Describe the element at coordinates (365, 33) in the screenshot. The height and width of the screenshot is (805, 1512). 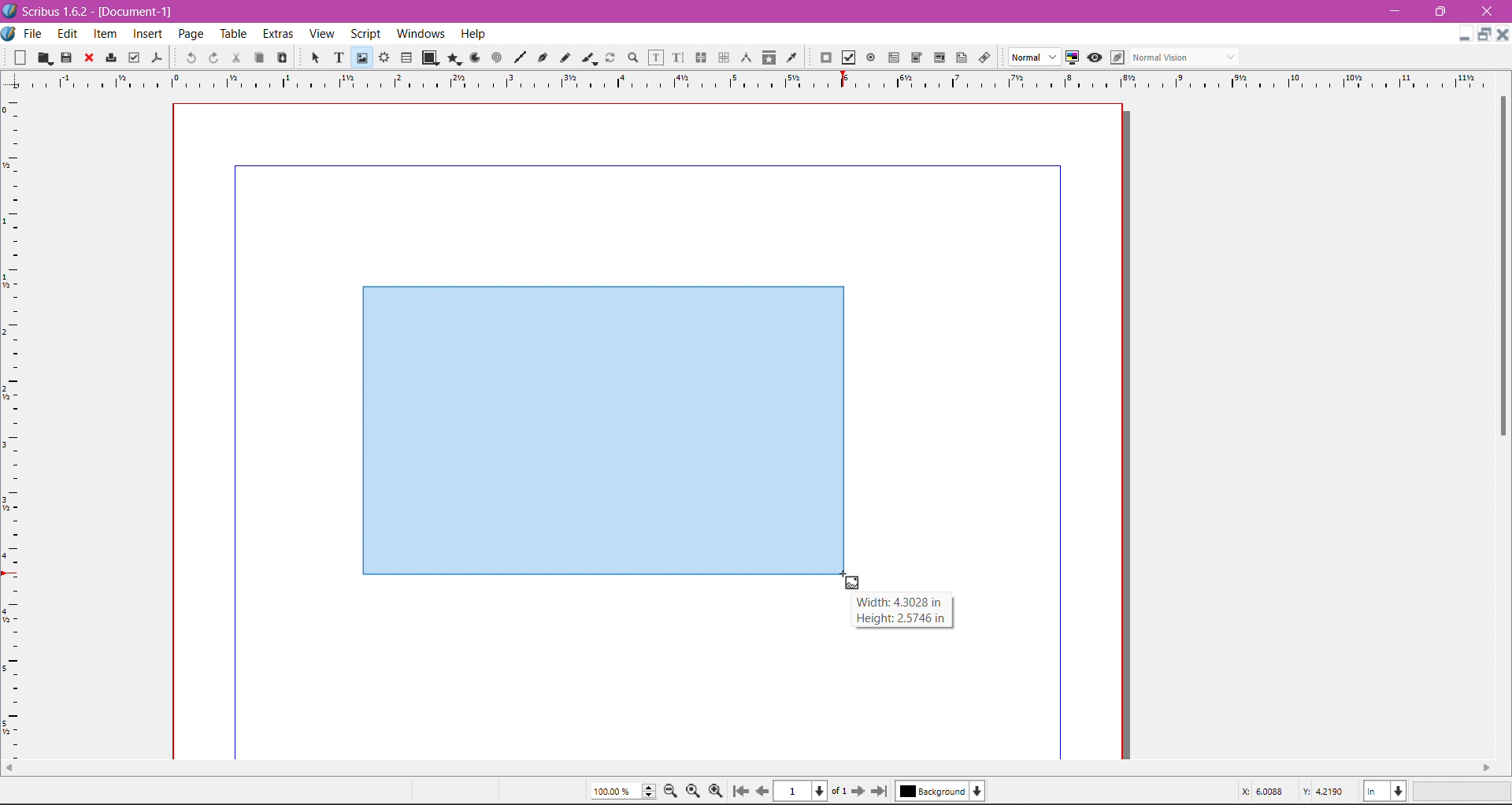
I see `Script` at that location.